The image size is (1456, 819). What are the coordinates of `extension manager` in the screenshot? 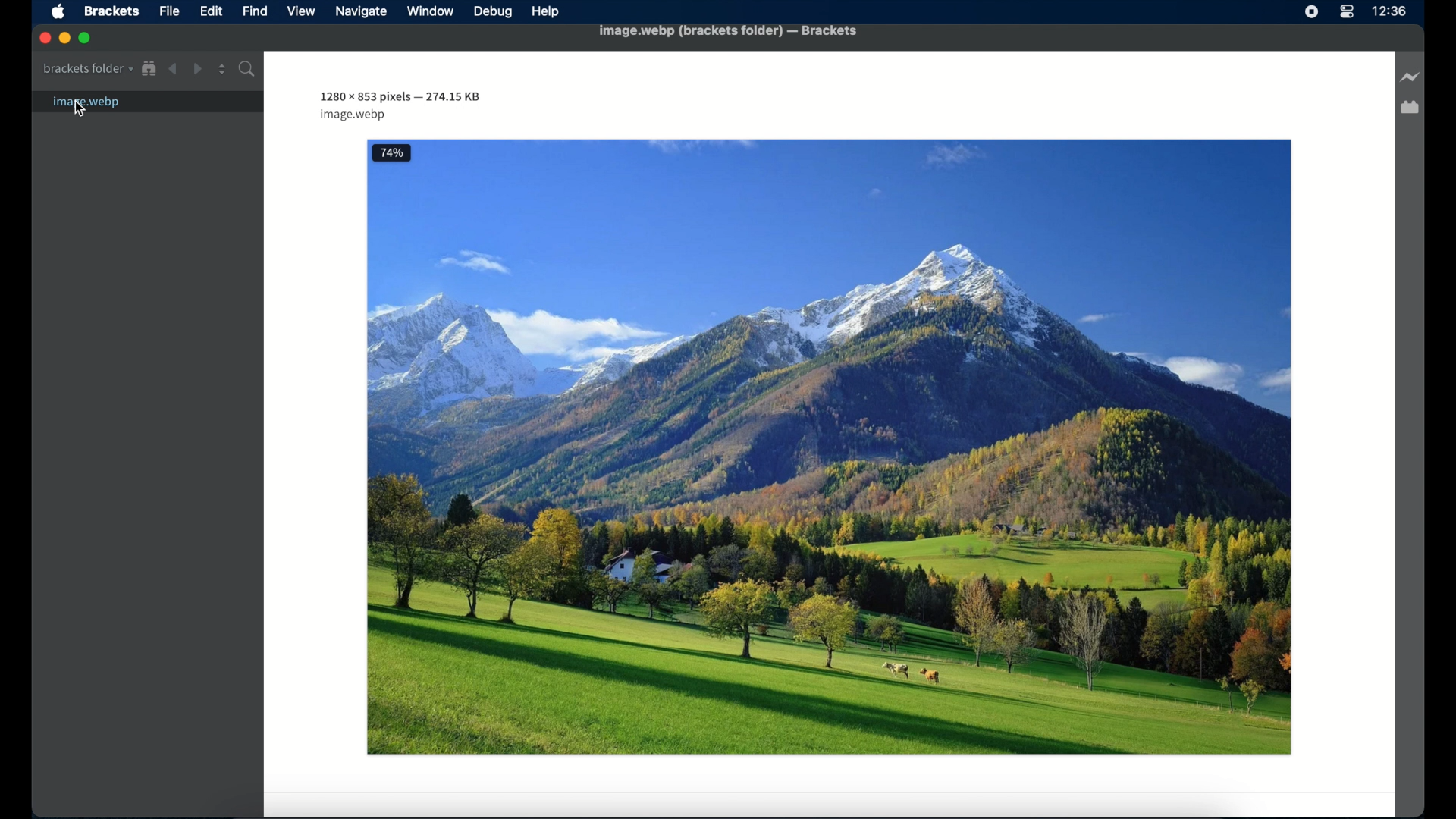 It's located at (1410, 108).